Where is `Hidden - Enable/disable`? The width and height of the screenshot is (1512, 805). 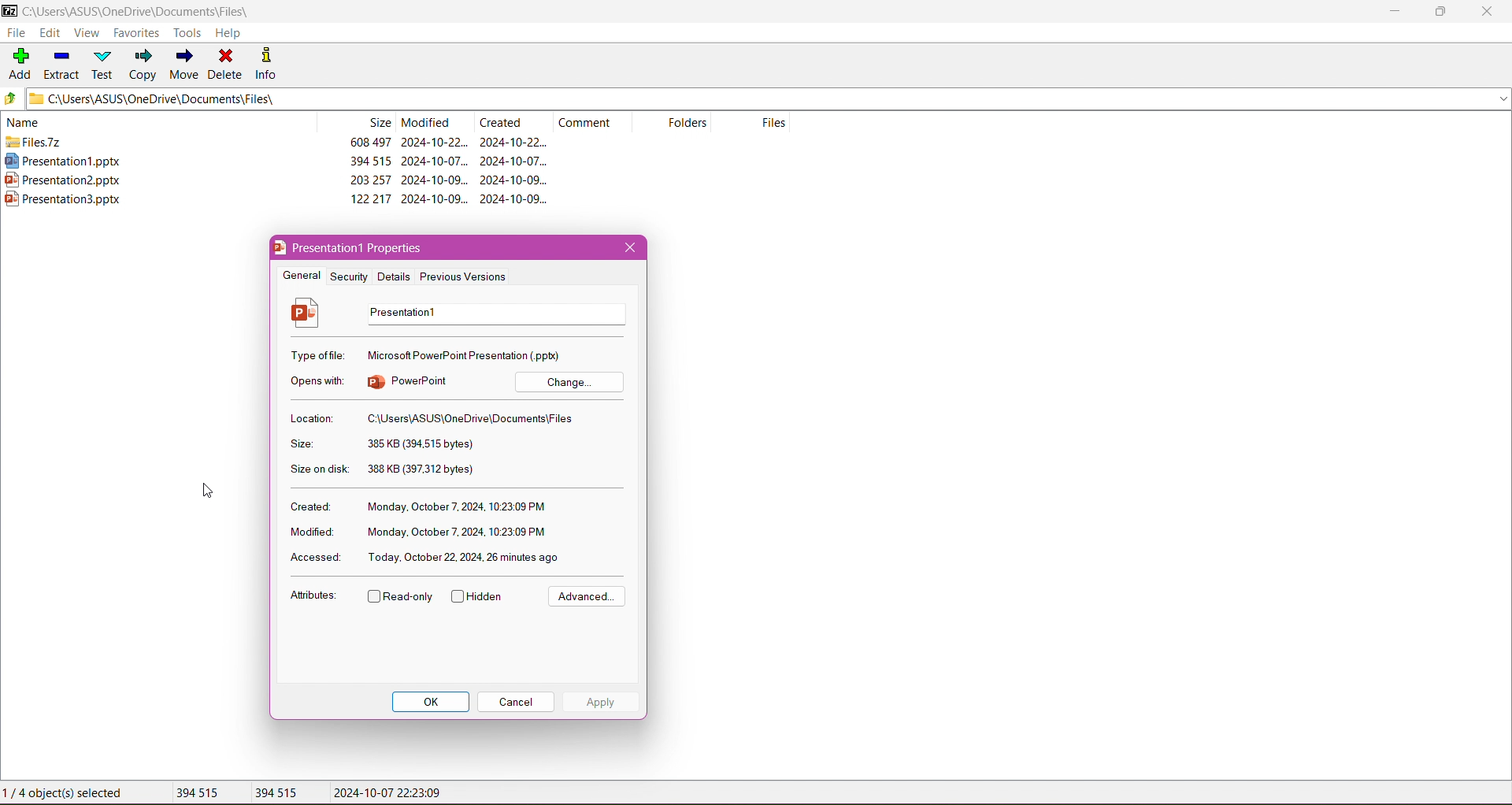
Hidden - Enable/disable is located at coordinates (478, 598).